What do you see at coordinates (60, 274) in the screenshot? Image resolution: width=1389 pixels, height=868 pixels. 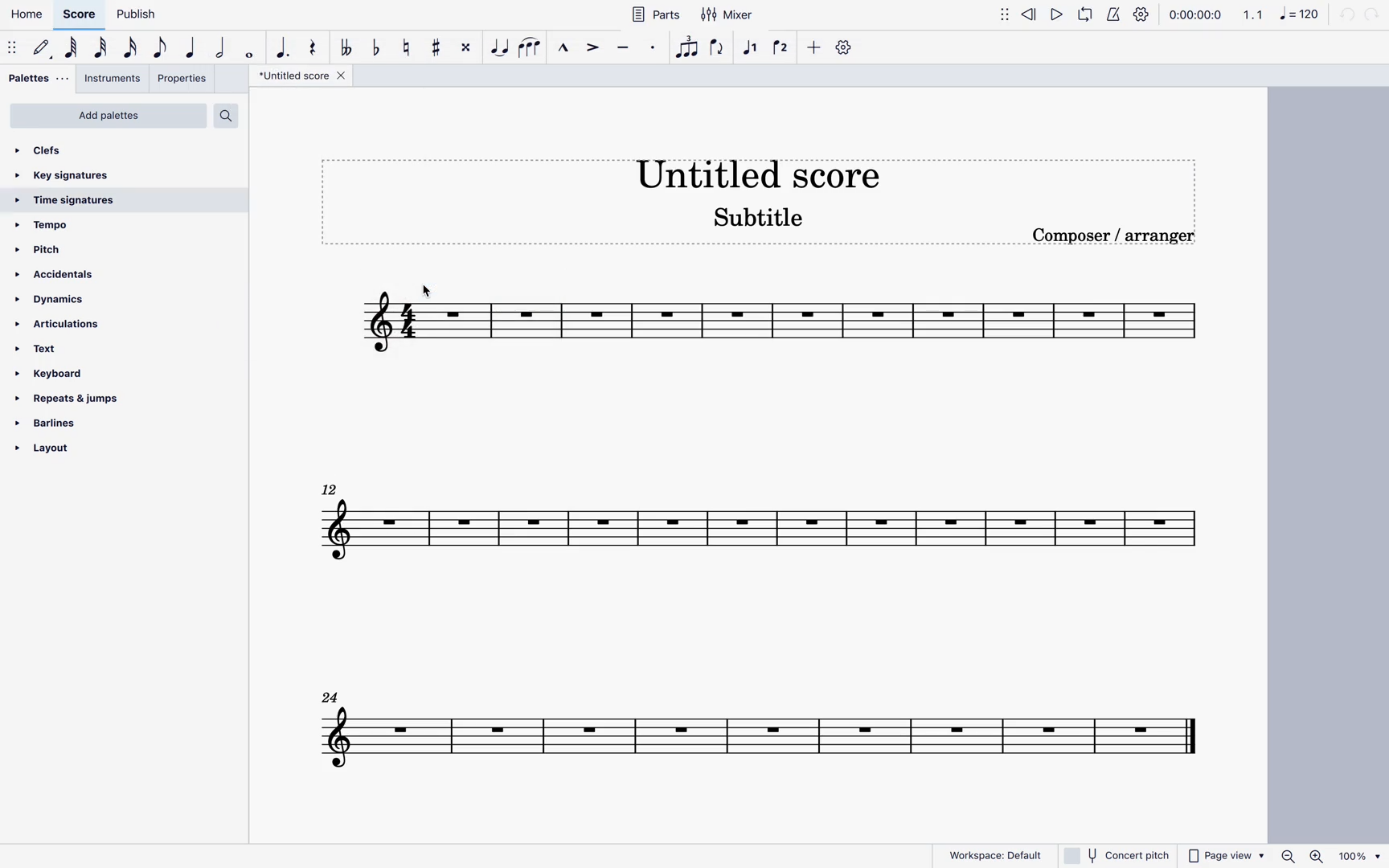 I see `accidentals` at bounding box center [60, 274].